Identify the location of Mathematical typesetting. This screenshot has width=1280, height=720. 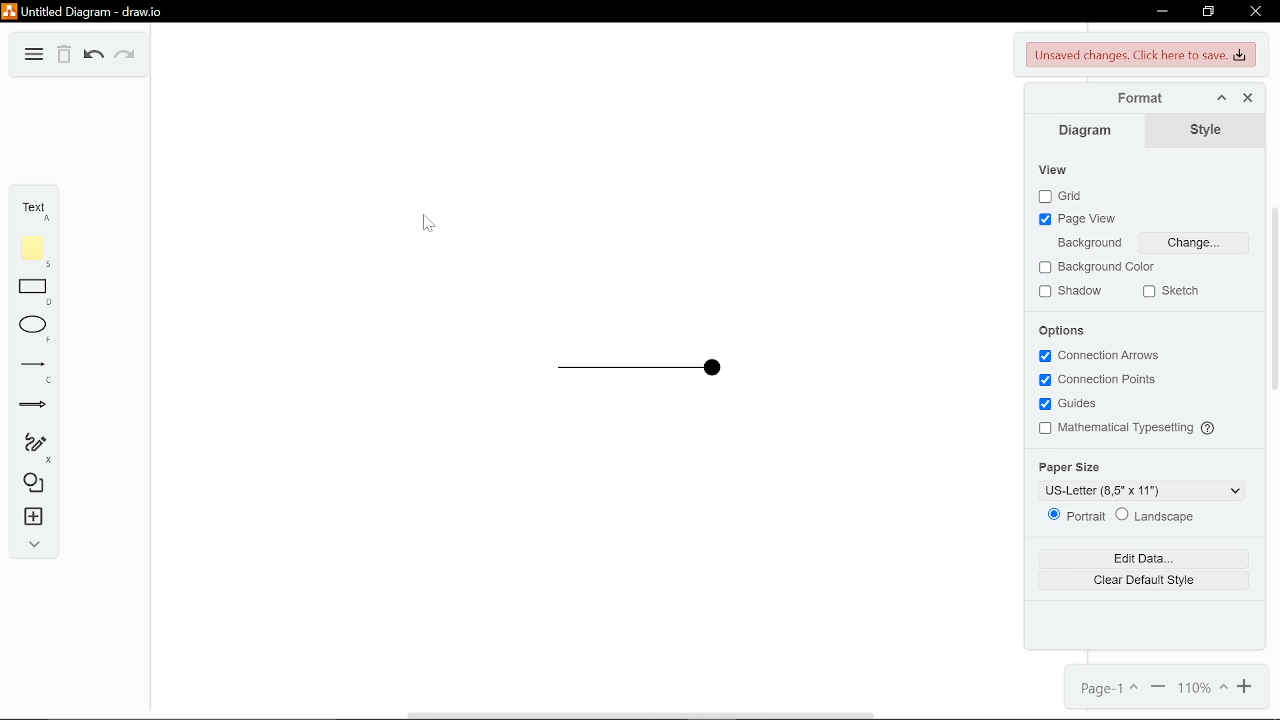
(1120, 430).